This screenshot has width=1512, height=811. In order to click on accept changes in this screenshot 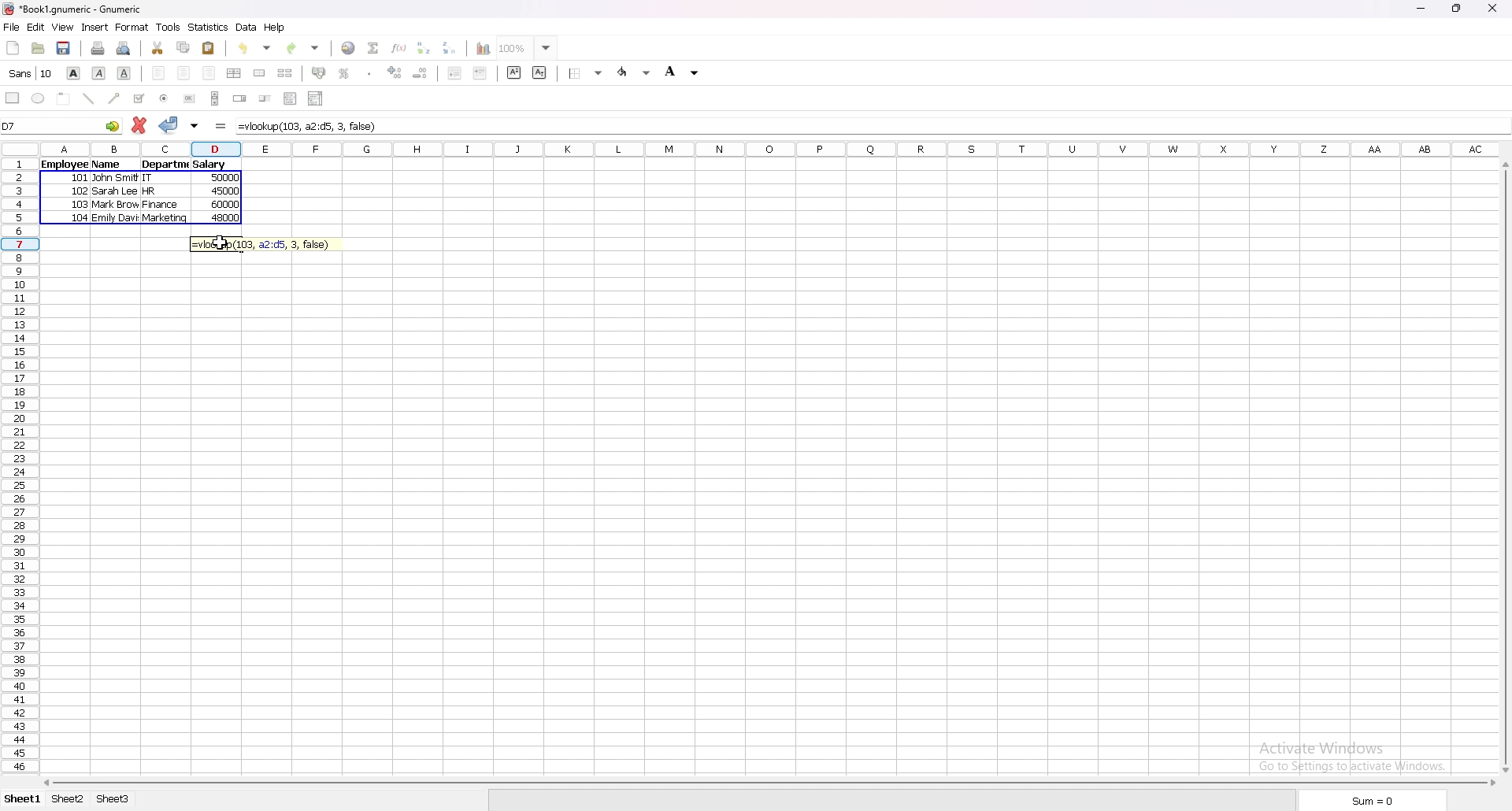, I will do `click(169, 125)`.